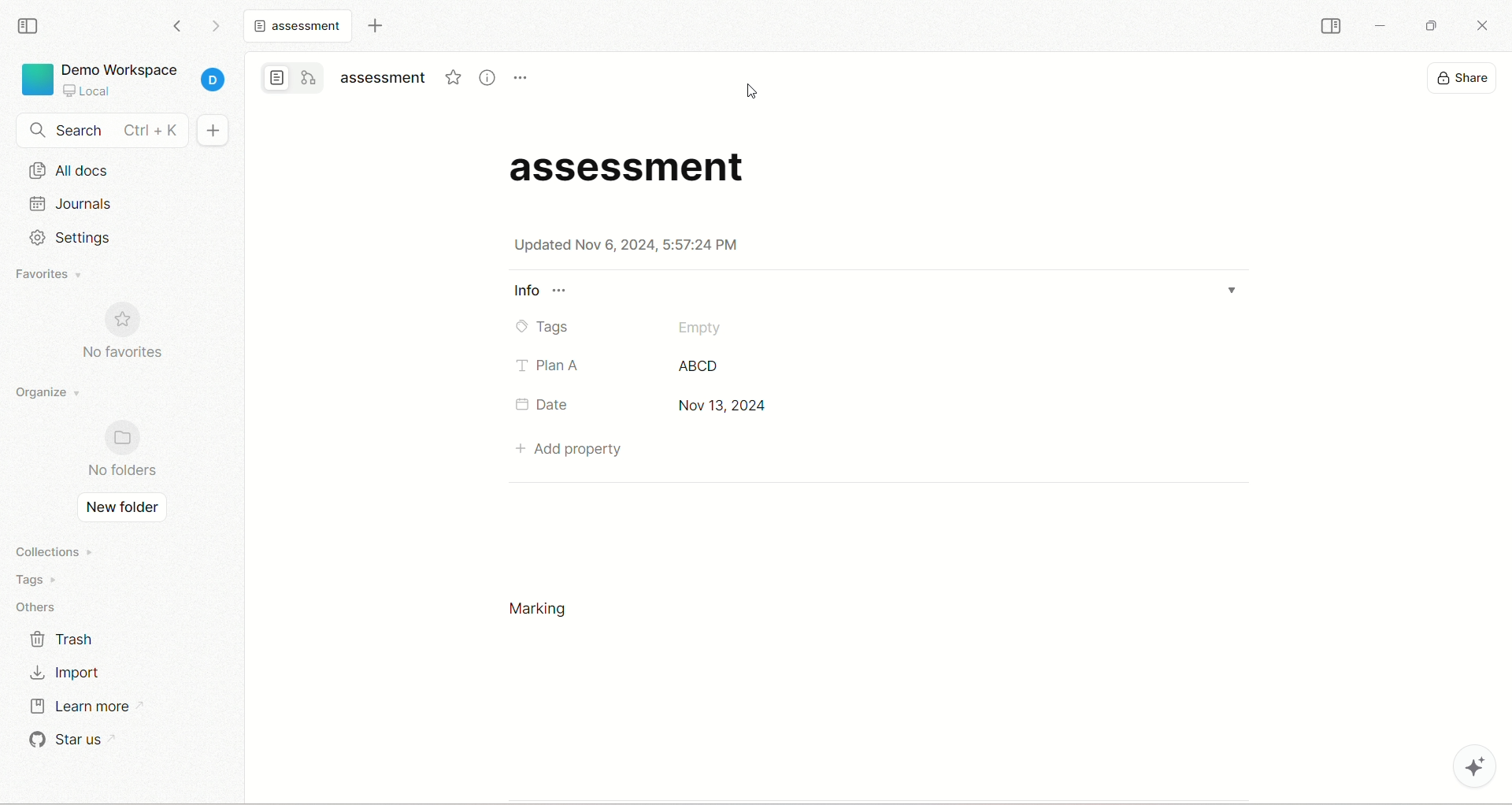 The width and height of the screenshot is (1512, 805). What do you see at coordinates (1334, 28) in the screenshot?
I see `collapse sidebar` at bounding box center [1334, 28].